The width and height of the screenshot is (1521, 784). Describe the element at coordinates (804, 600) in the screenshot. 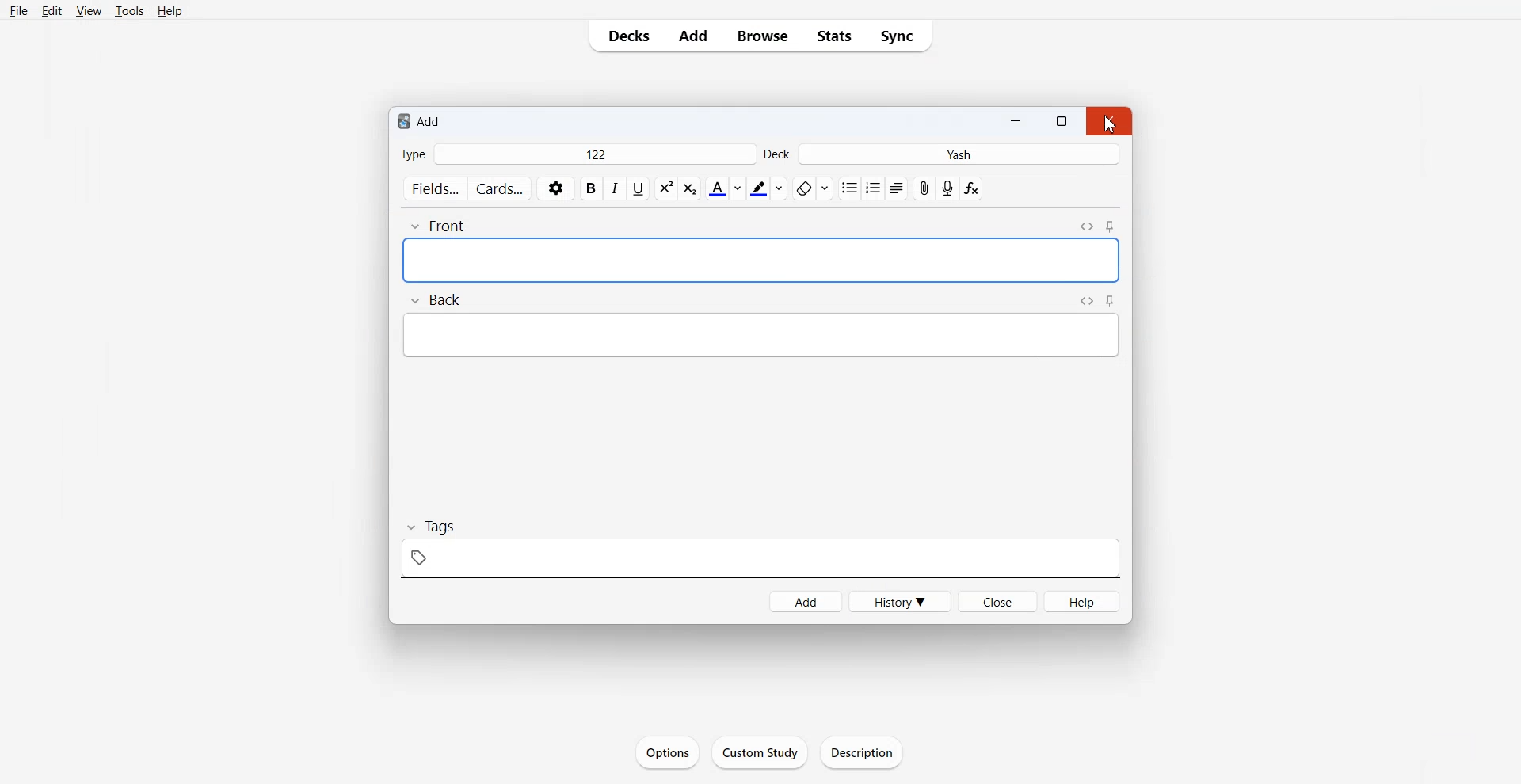

I see `Add` at that location.